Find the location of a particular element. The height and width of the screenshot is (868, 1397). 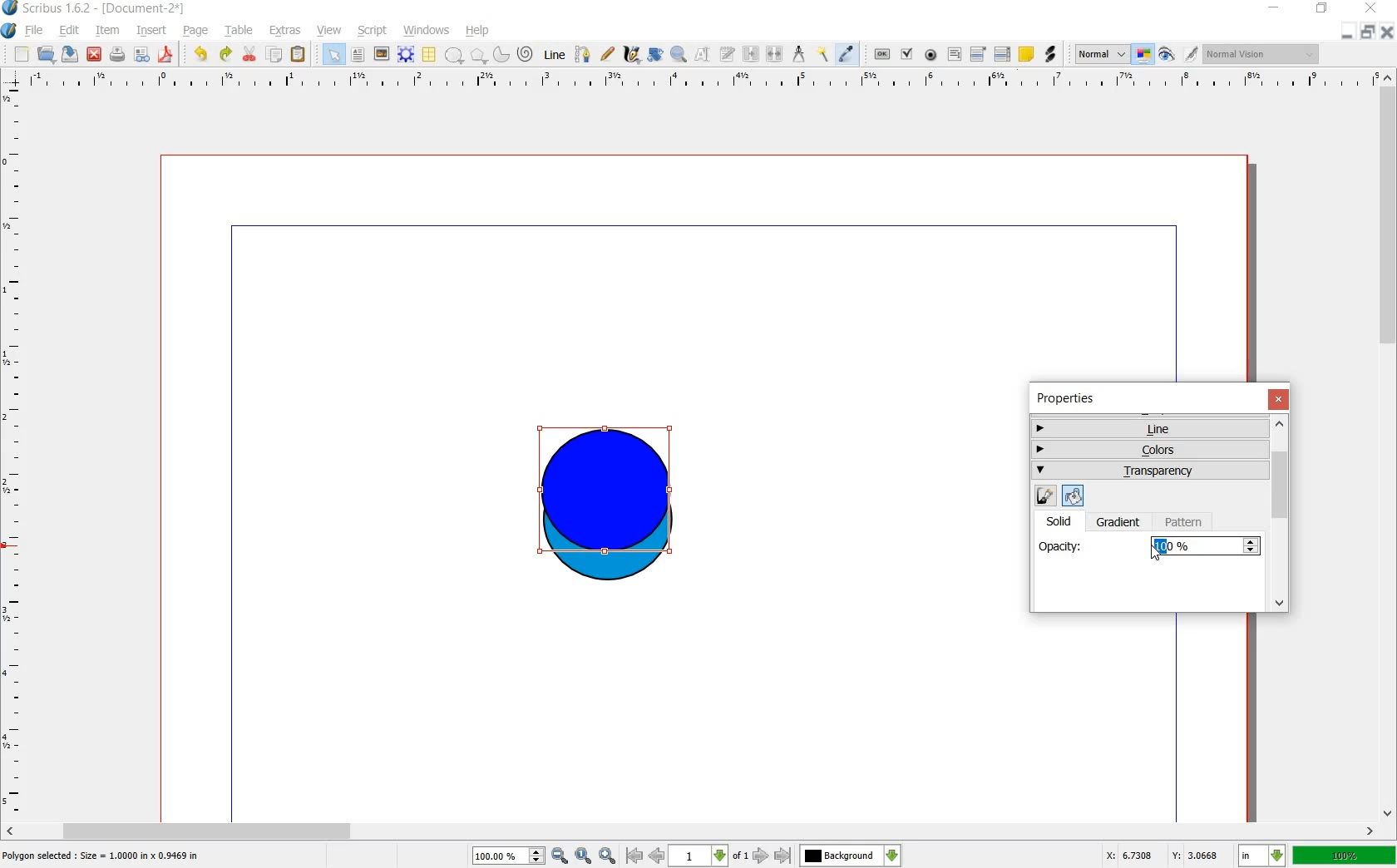

close is located at coordinates (1387, 32).